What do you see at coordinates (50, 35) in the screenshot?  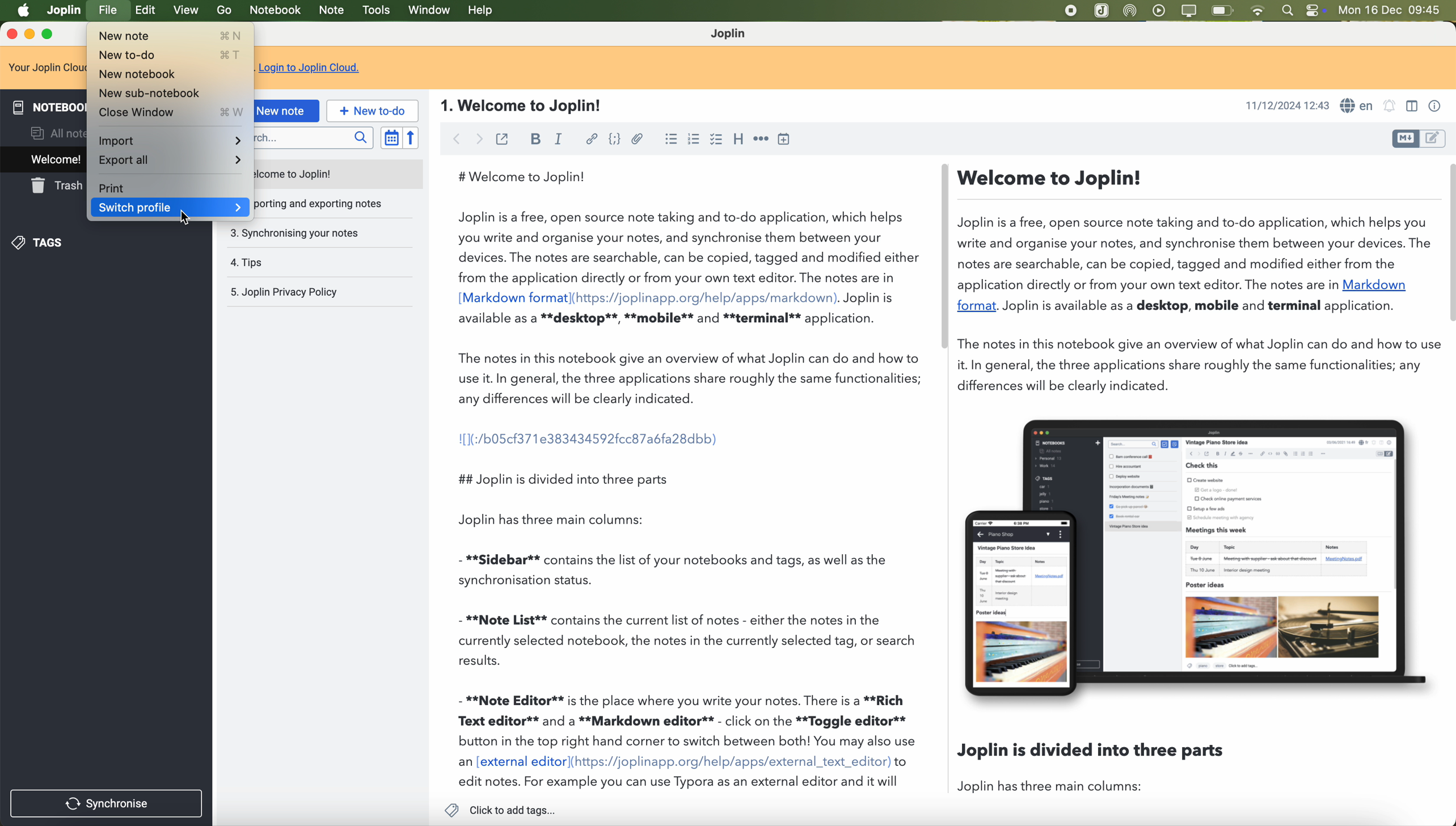 I see `maximize` at bounding box center [50, 35].